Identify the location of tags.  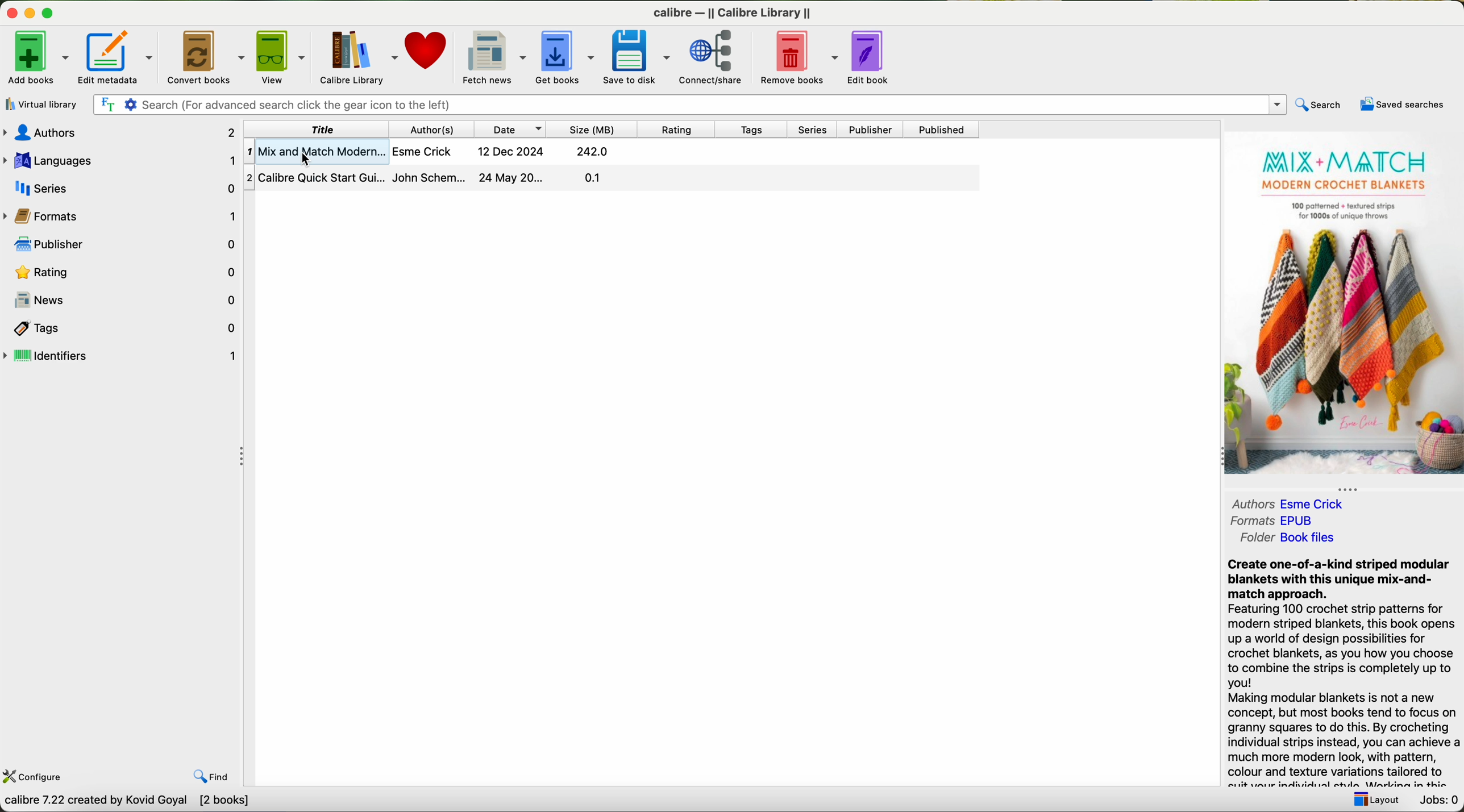
(749, 130).